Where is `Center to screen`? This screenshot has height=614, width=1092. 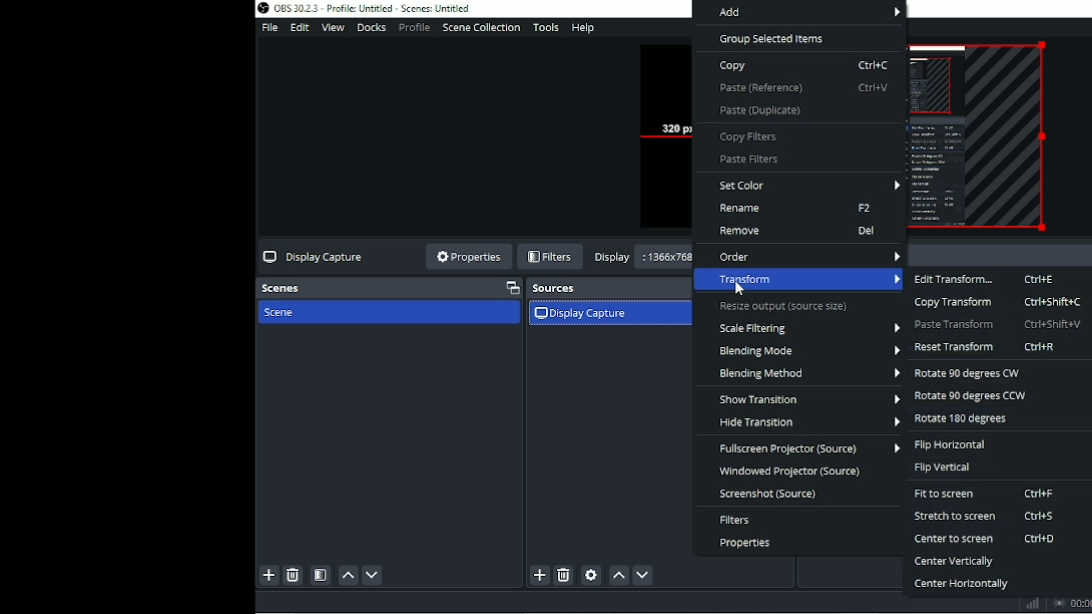 Center to screen is located at coordinates (987, 538).